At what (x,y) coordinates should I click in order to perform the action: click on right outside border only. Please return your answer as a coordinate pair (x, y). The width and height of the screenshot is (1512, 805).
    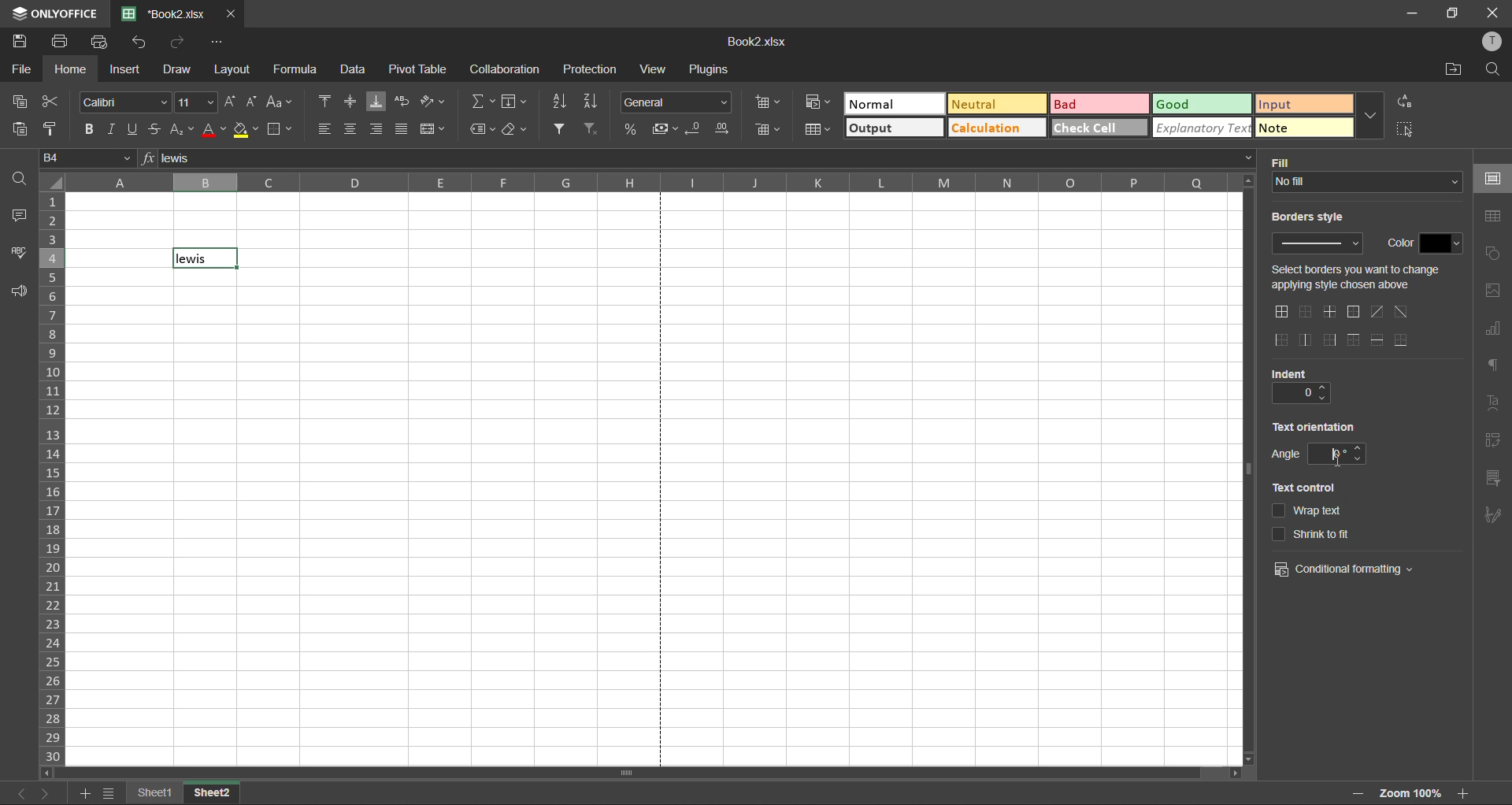
    Looking at the image, I should click on (1329, 339).